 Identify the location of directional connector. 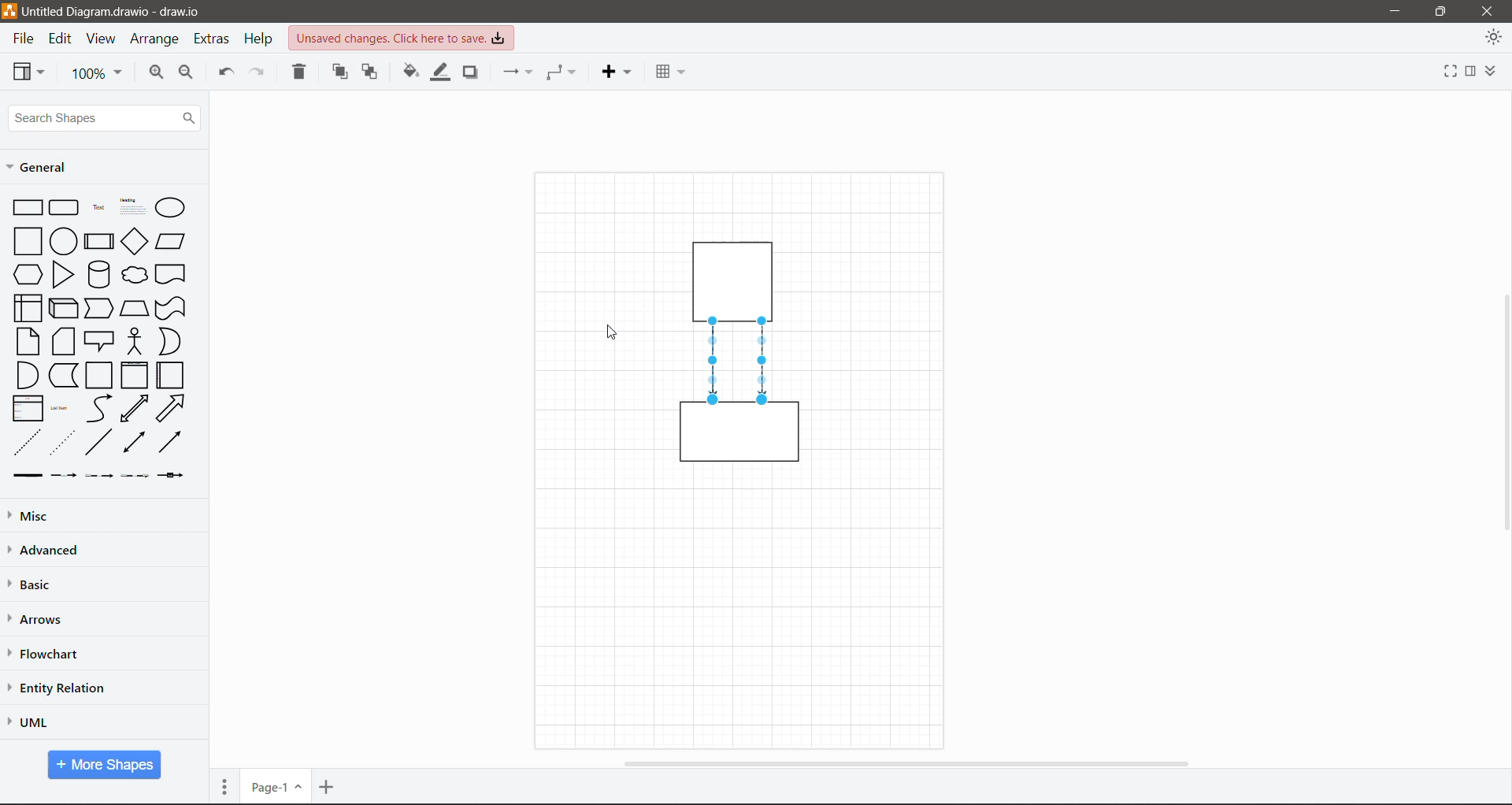
(169, 442).